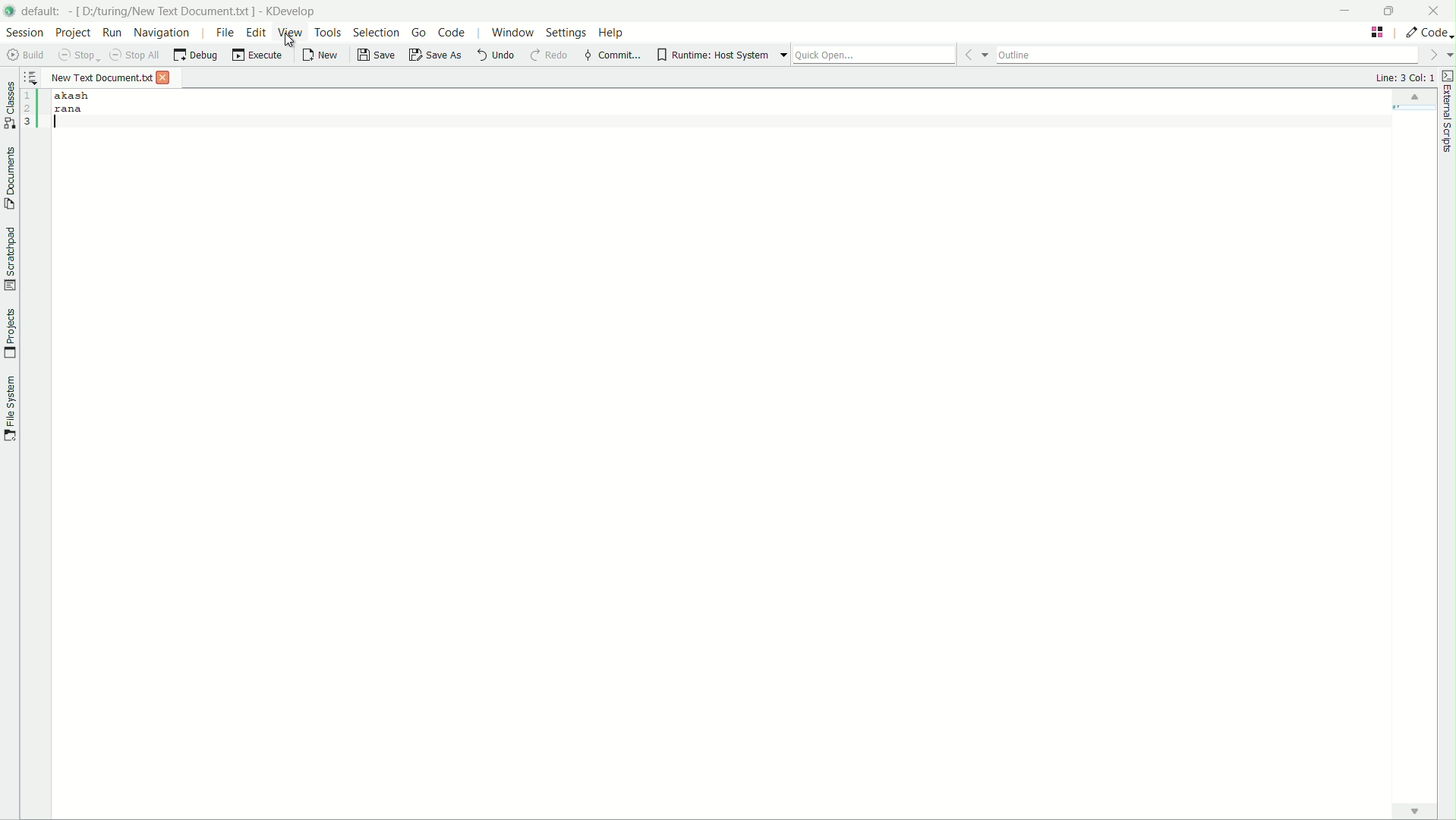 The height and width of the screenshot is (820, 1456). Describe the element at coordinates (567, 33) in the screenshot. I see `settings menu` at that location.